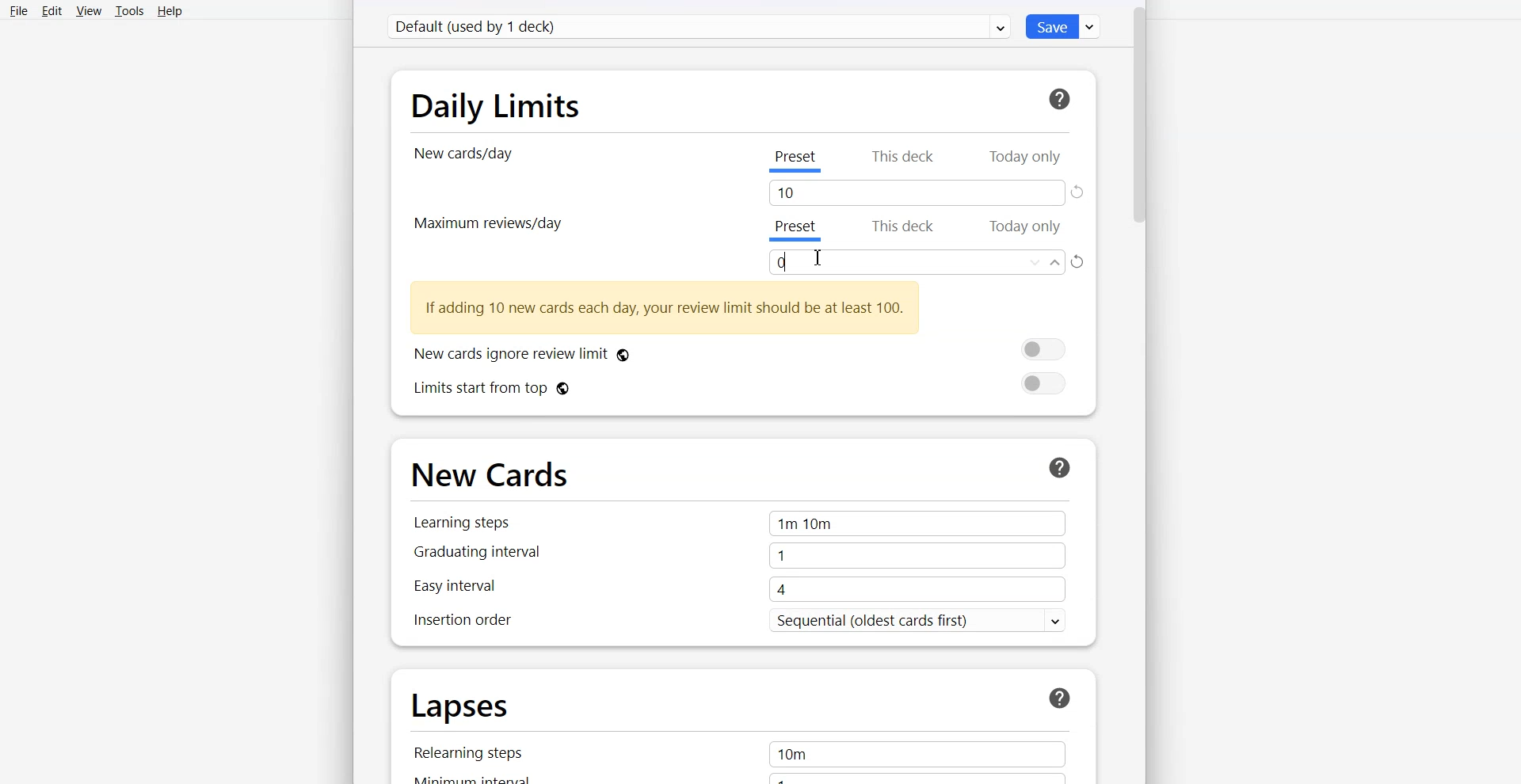 The height and width of the screenshot is (784, 1521). I want to click on Enter amount, so click(916, 262).